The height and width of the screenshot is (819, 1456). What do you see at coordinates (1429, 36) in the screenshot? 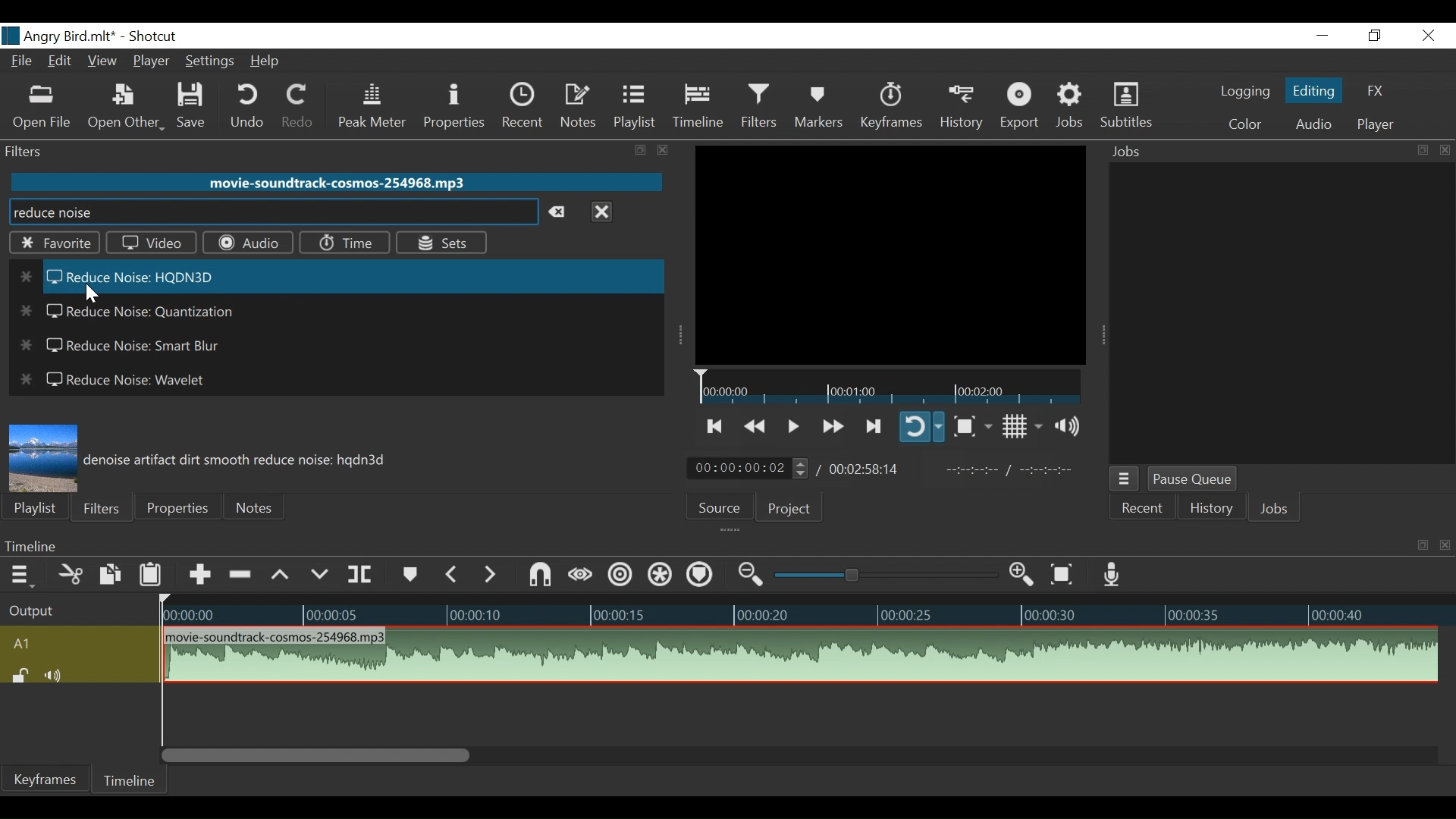
I see `Close` at bounding box center [1429, 36].